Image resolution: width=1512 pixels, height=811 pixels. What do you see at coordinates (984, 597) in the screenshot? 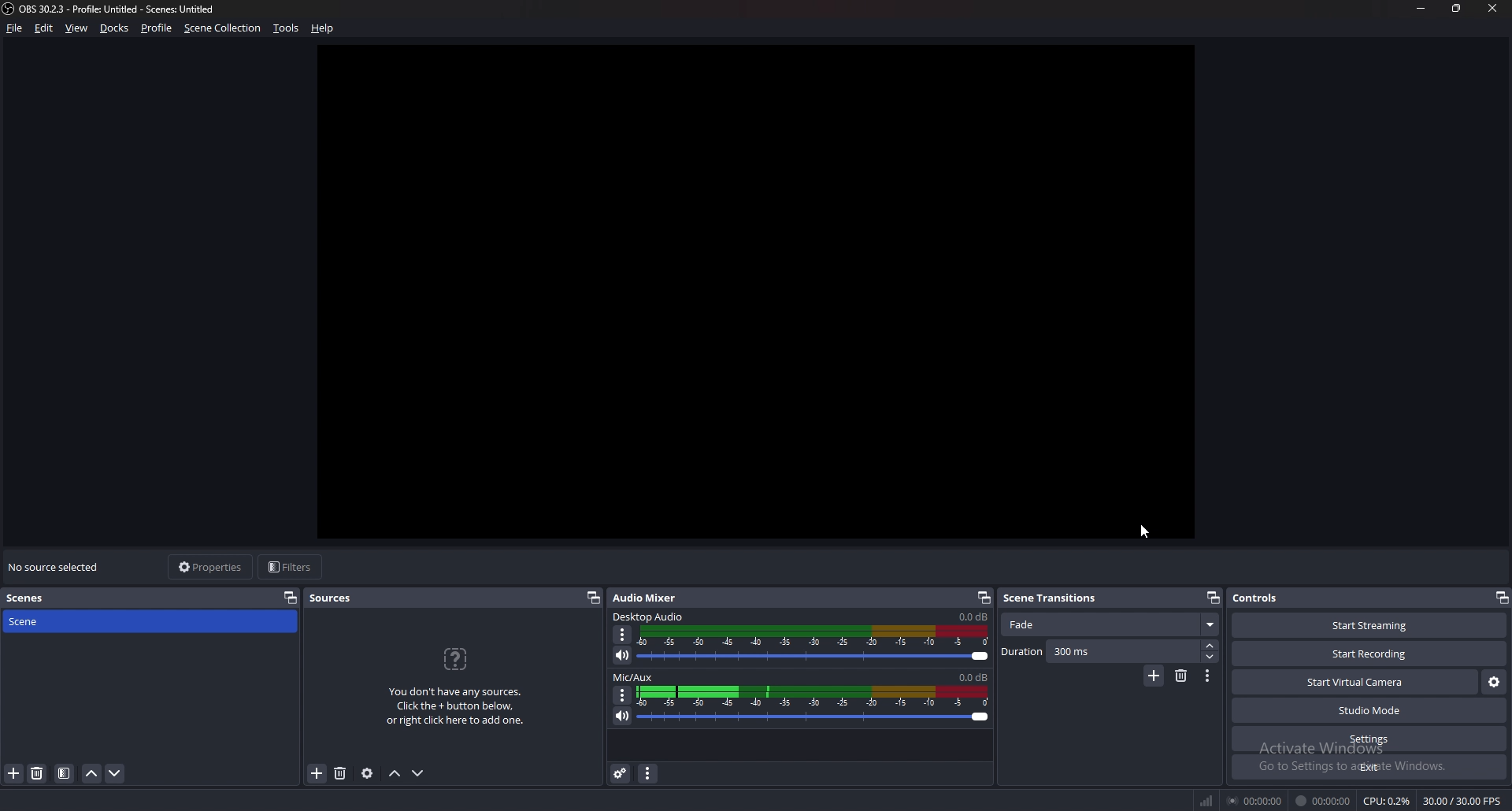
I see `pop out` at bounding box center [984, 597].